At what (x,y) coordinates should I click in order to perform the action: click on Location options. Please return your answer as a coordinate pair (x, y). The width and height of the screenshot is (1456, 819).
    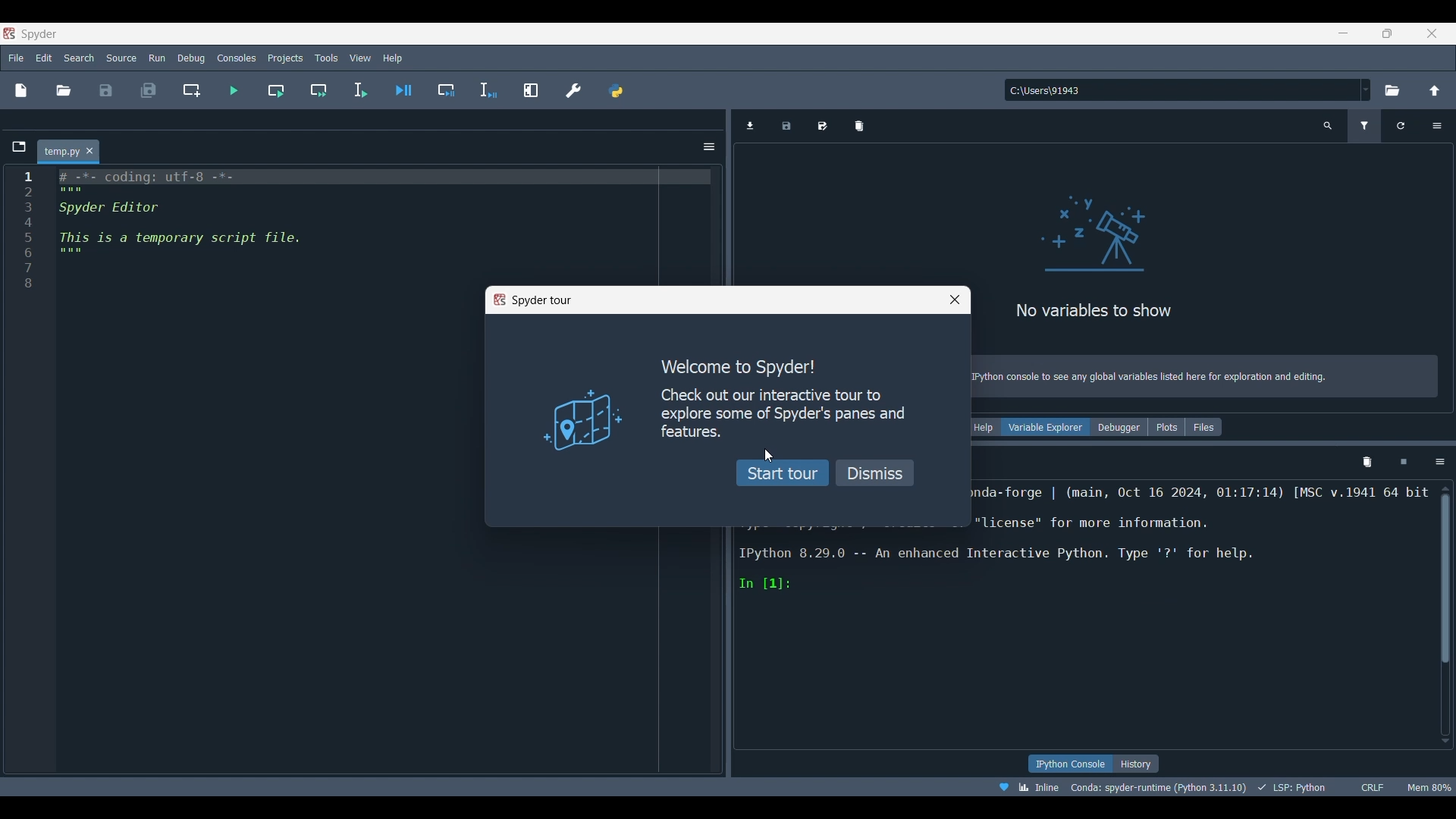
    Looking at the image, I should click on (1367, 89).